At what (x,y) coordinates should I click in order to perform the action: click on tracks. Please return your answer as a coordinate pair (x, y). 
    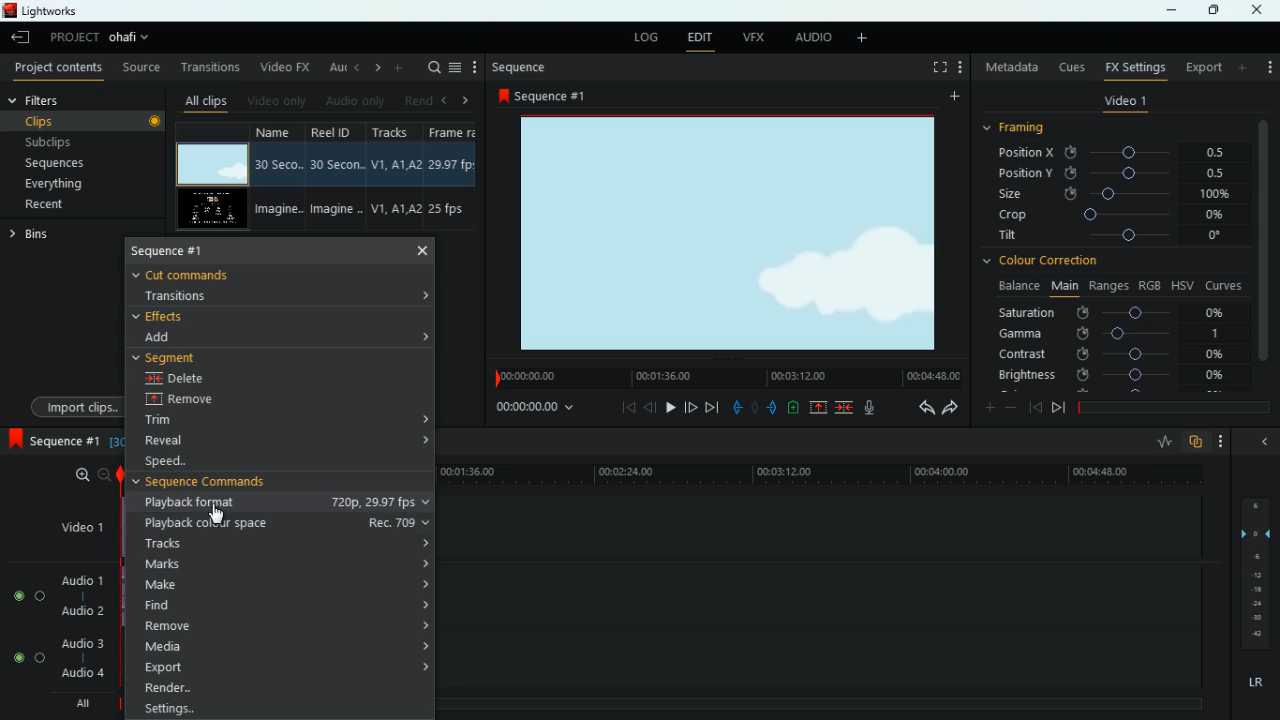
    Looking at the image, I should click on (286, 543).